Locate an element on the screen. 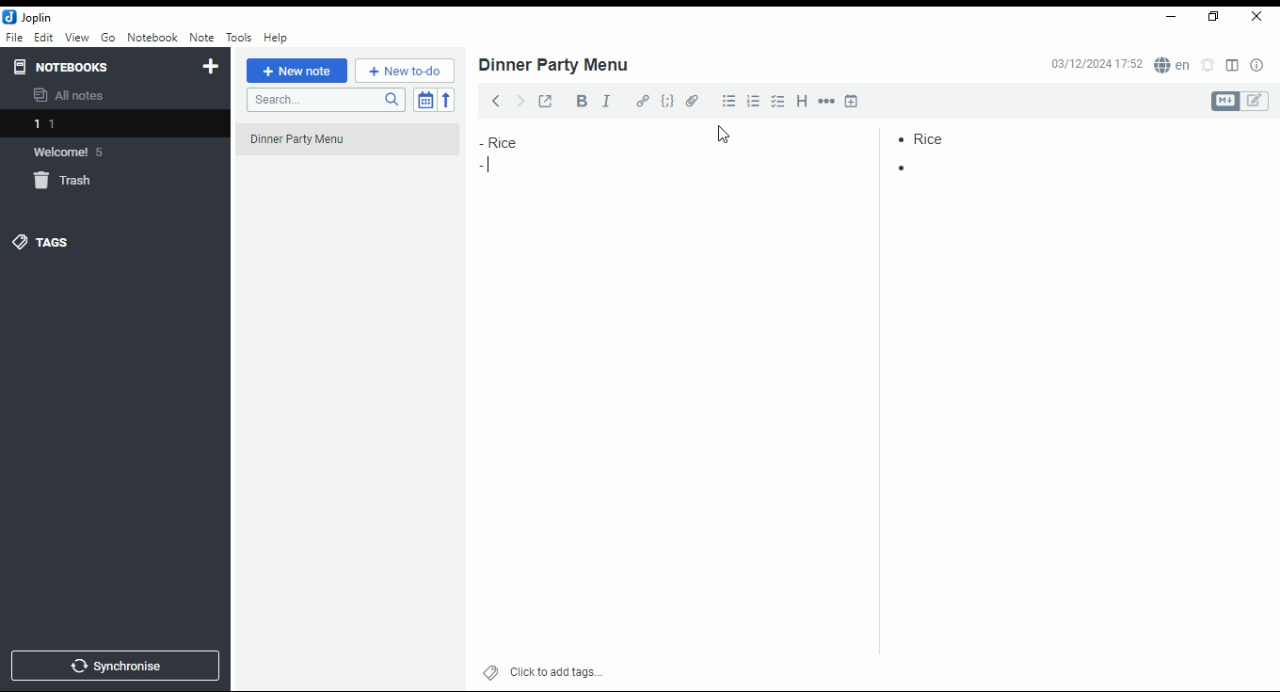  file is located at coordinates (14, 37).